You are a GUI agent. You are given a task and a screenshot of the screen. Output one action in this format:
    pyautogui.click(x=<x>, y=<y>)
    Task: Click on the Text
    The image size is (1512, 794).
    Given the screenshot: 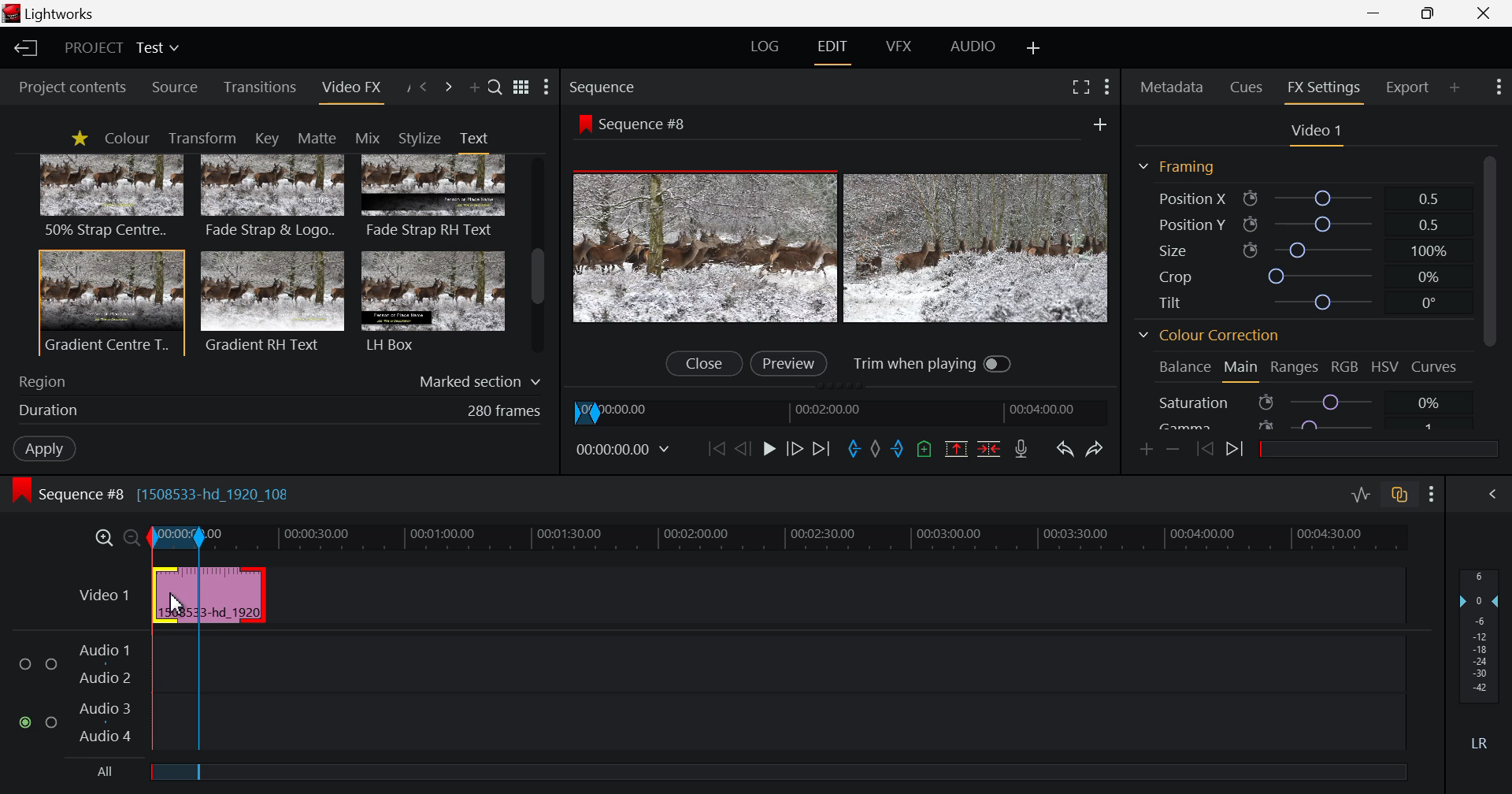 What is the action you would take?
    pyautogui.click(x=473, y=138)
    